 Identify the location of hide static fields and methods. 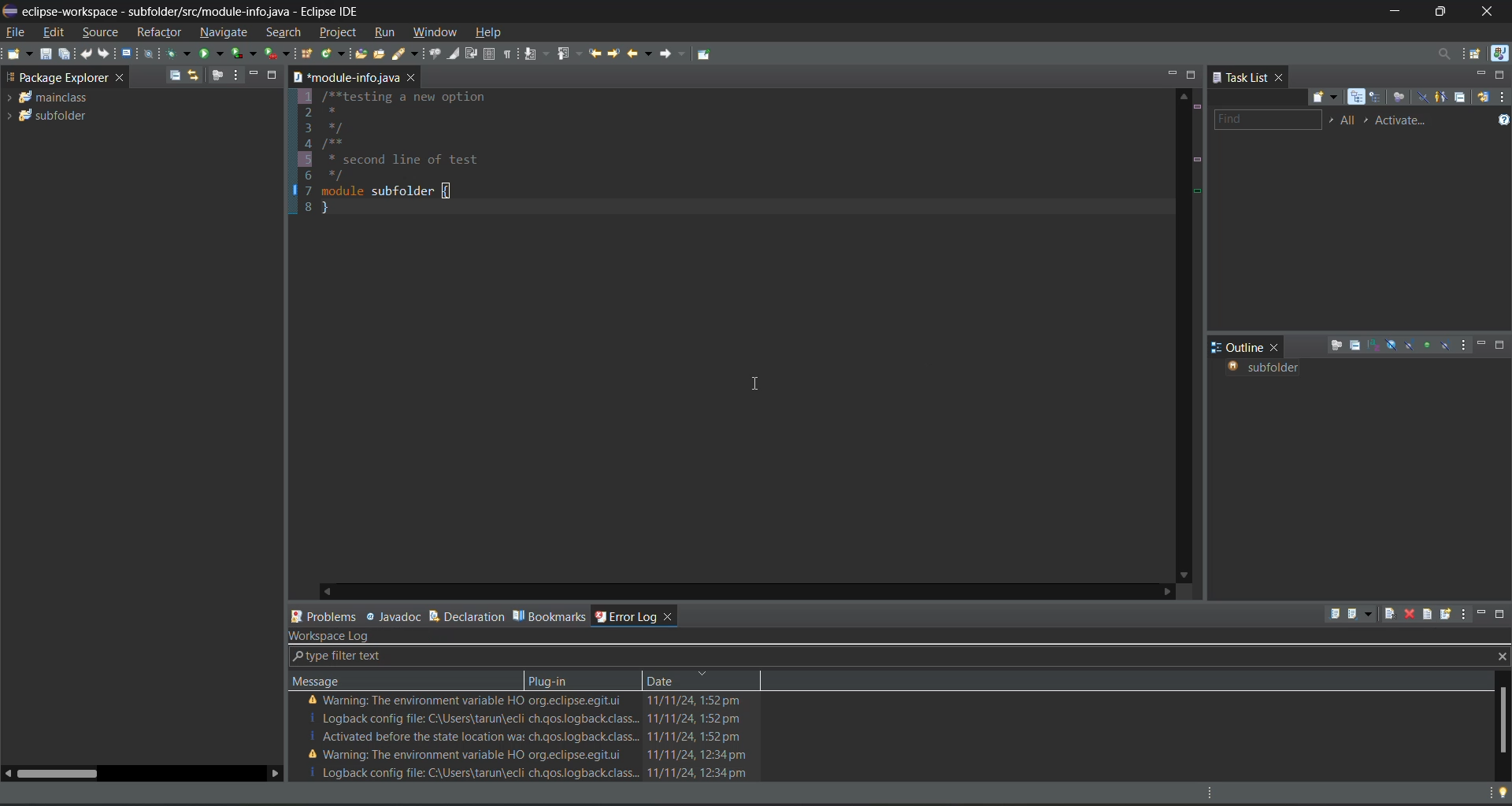
(1408, 346).